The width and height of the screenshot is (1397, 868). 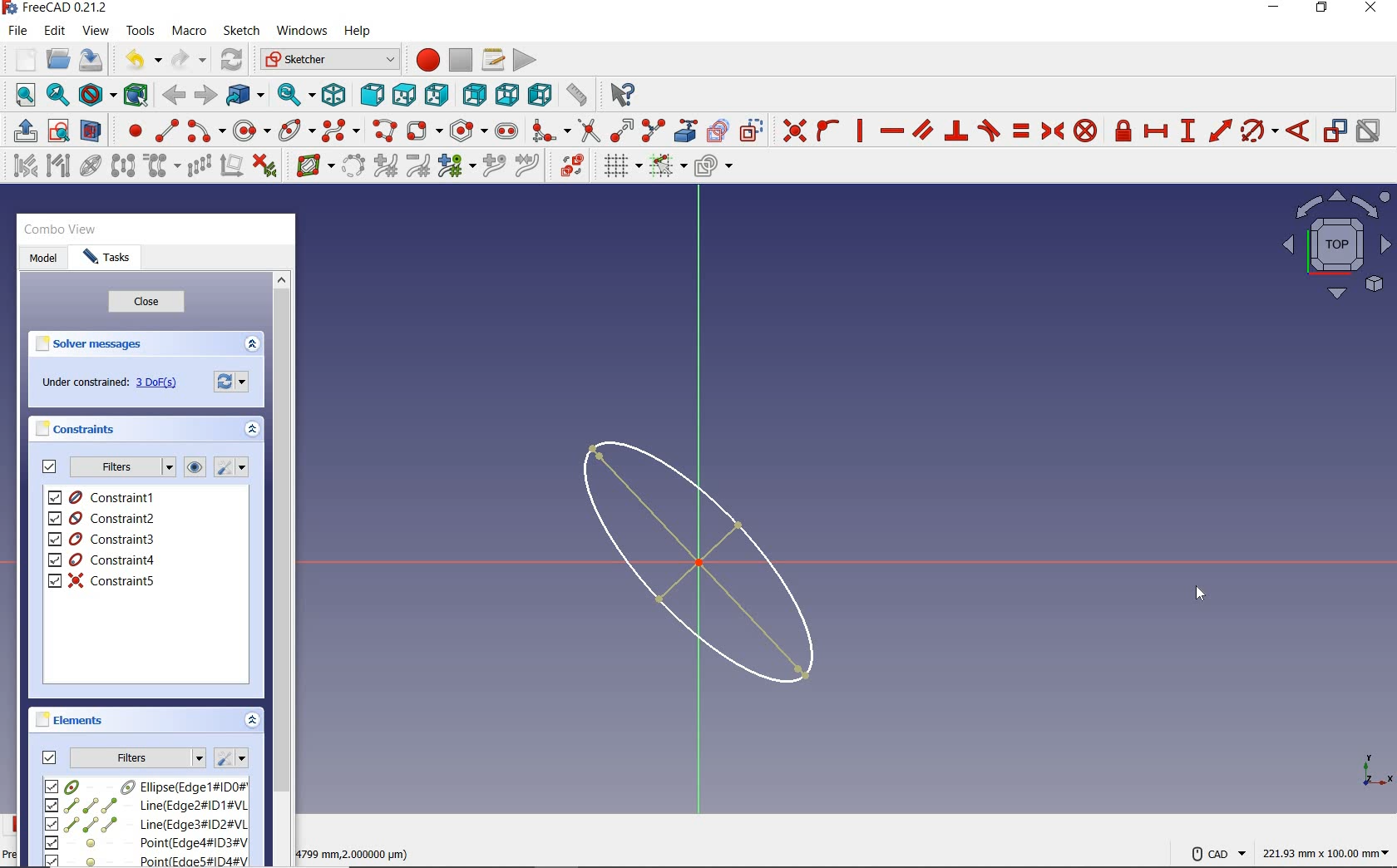 I want to click on view, so click(x=97, y=30).